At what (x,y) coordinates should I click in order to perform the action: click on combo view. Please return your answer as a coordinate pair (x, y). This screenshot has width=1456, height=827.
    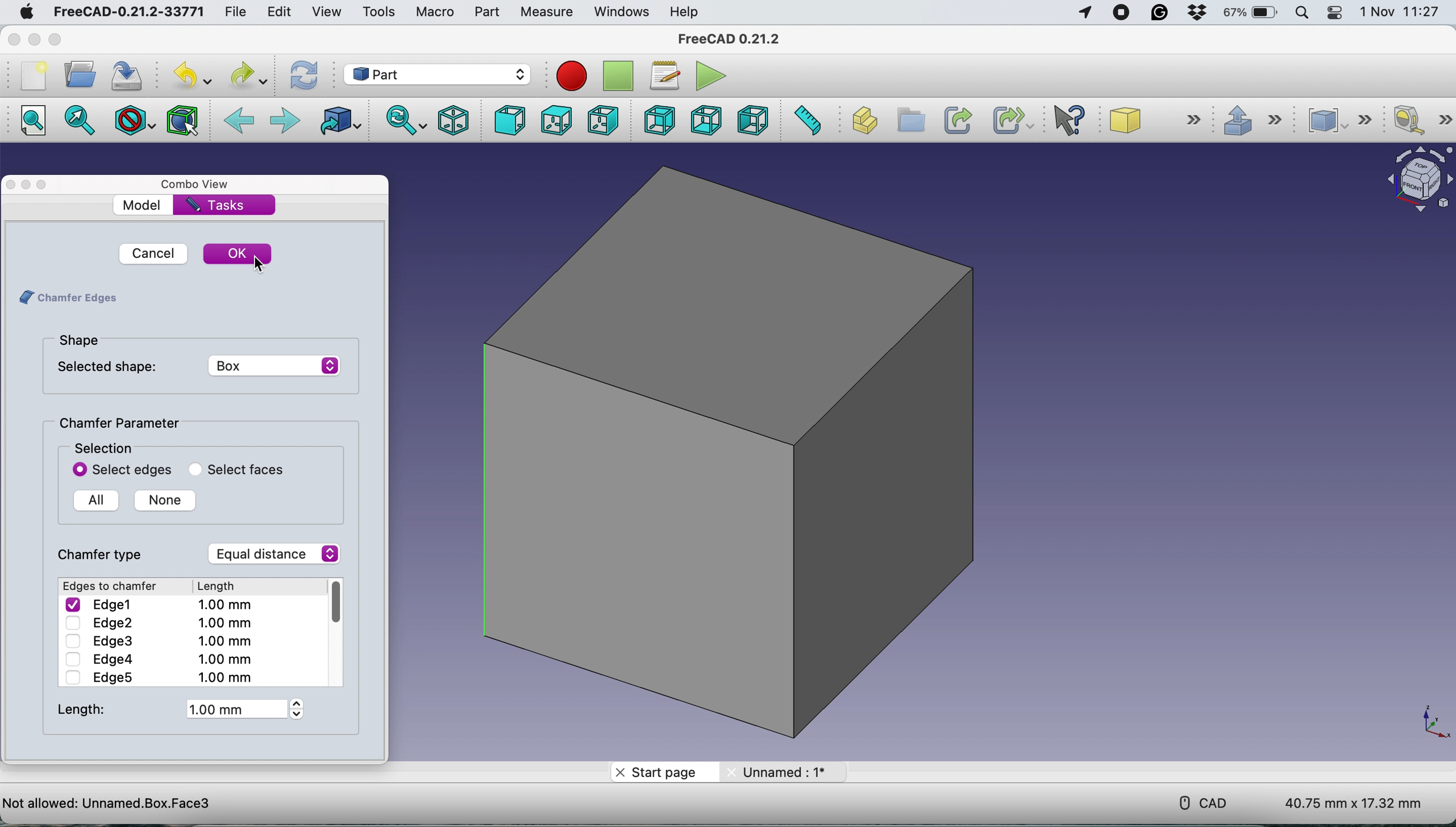
    Looking at the image, I should click on (202, 183).